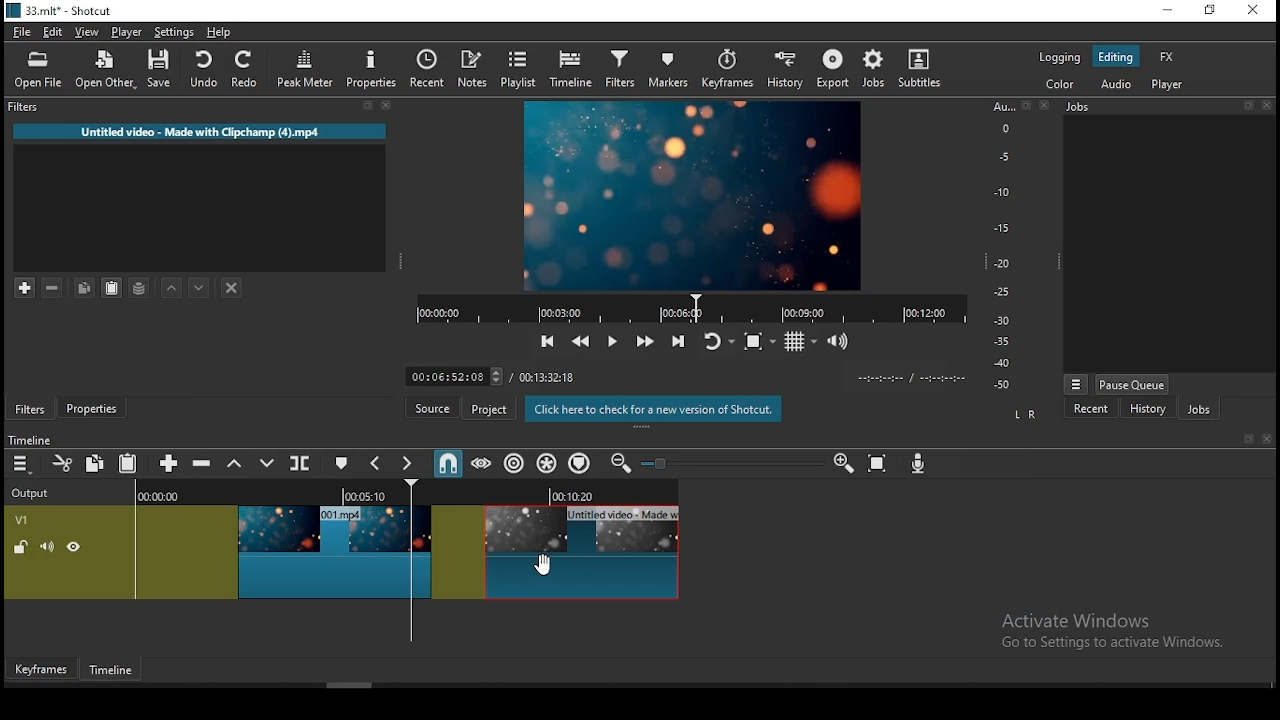  What do you see at coordinates (1118, 84) in the screenshot?
I see `audio` at bounding box center [1118, 84].